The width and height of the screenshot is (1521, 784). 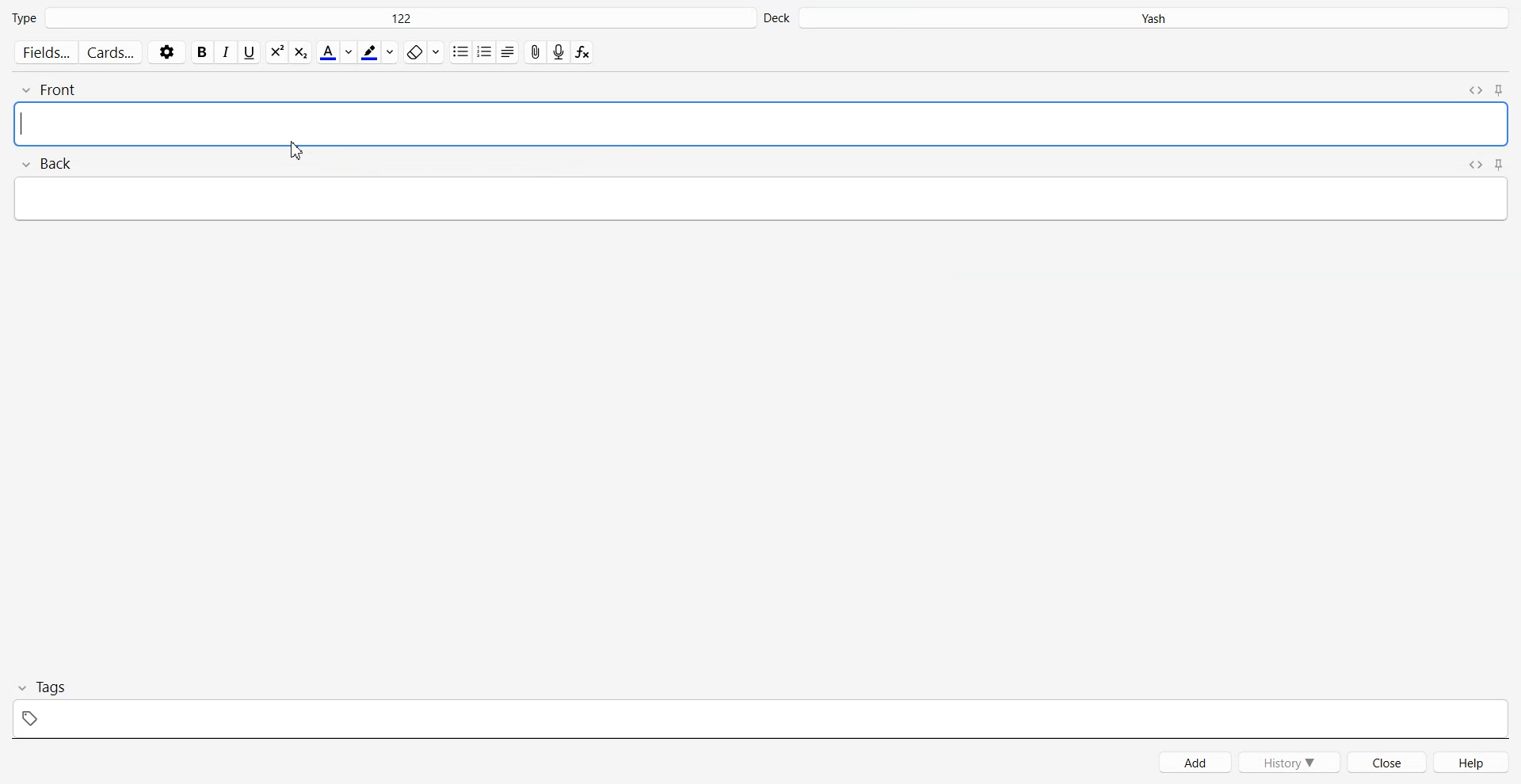 I want to click on Front, so click(x=761, y=114).